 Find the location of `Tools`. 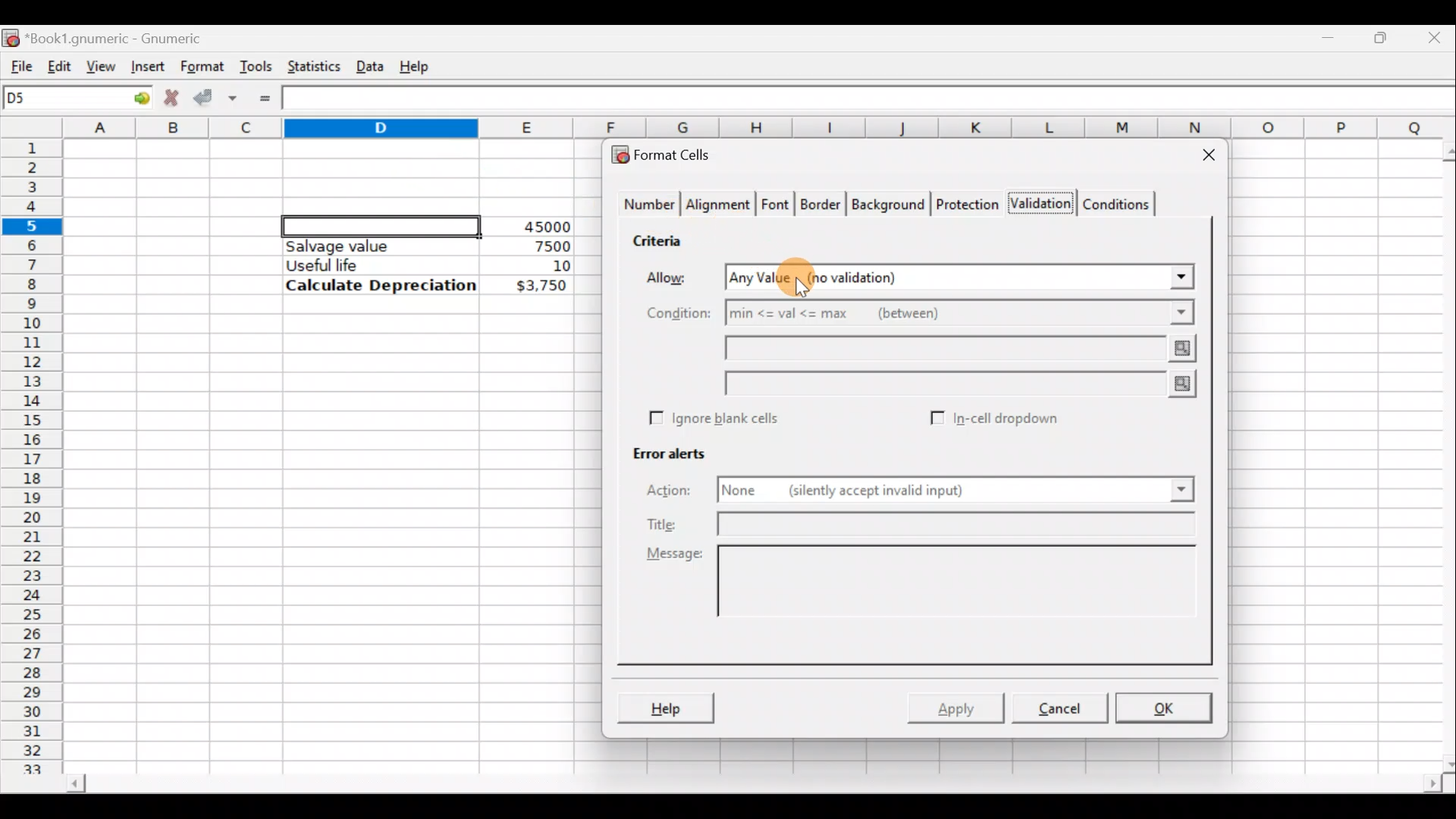

Tools is located at coordinates (256, 65).